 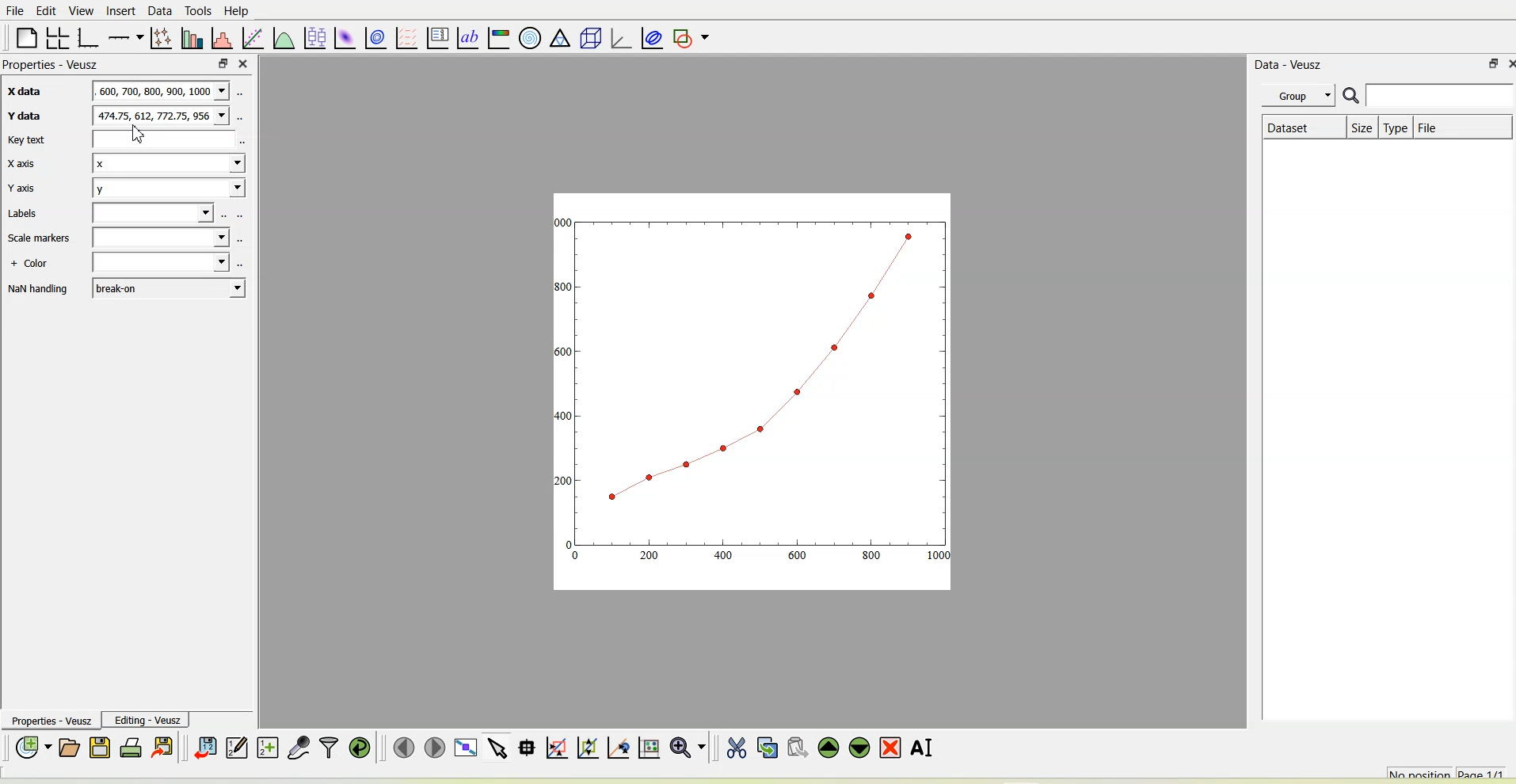 I want to click on x, so click(x=170, y=162).